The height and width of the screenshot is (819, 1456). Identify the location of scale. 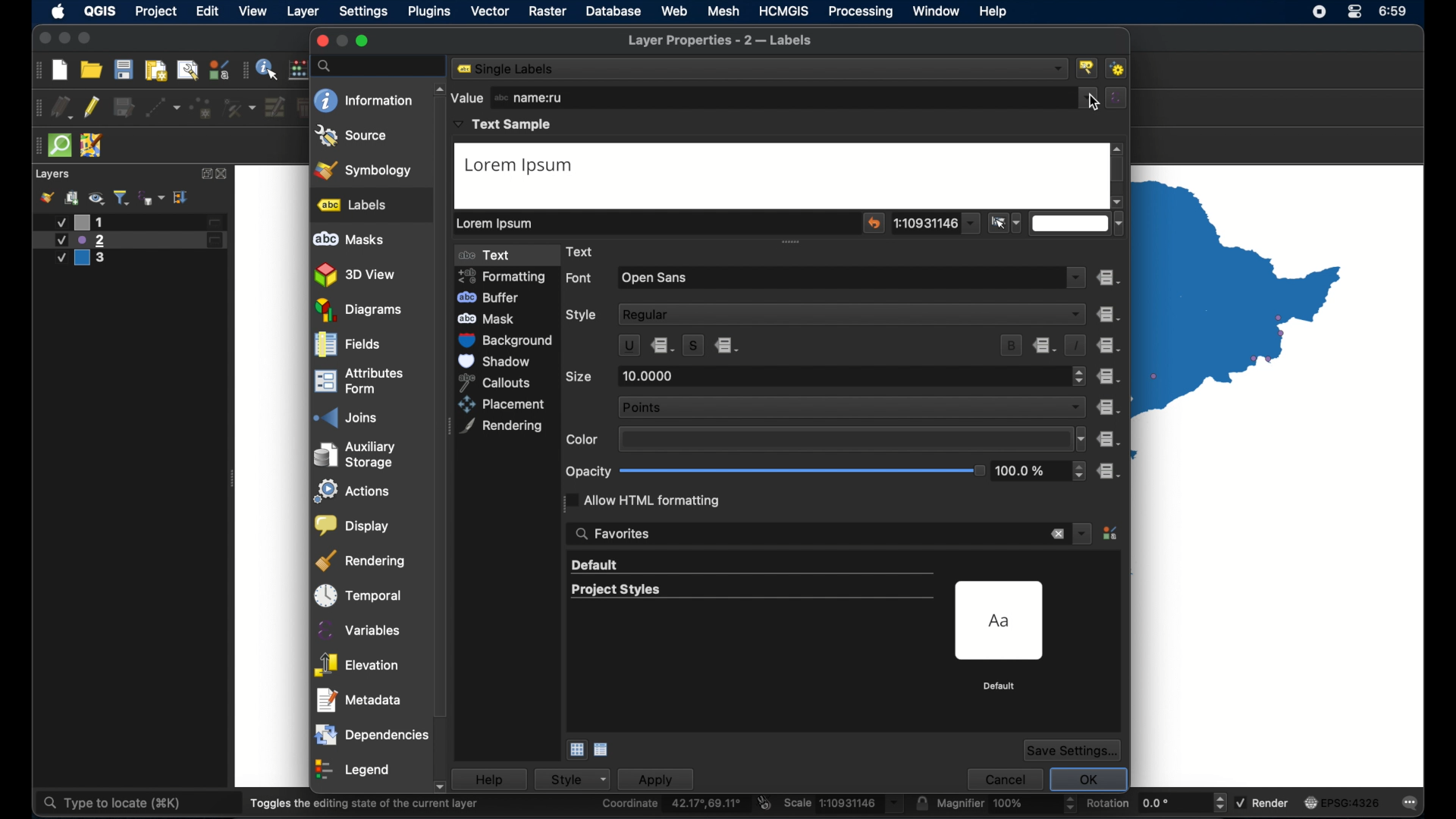
(844, 804).